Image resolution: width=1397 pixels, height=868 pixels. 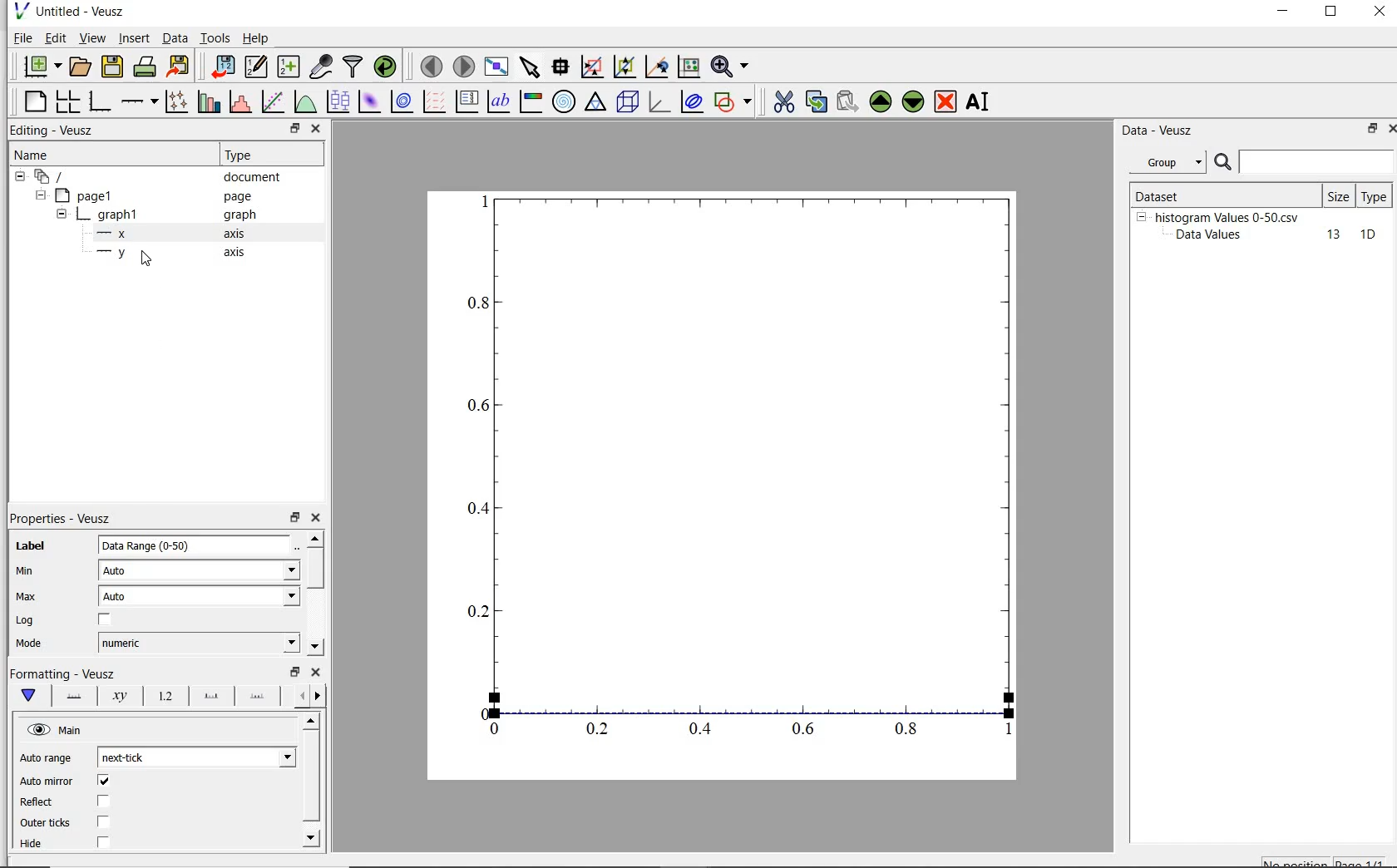 I want to click on | Mode, so click(x=29, y=645).